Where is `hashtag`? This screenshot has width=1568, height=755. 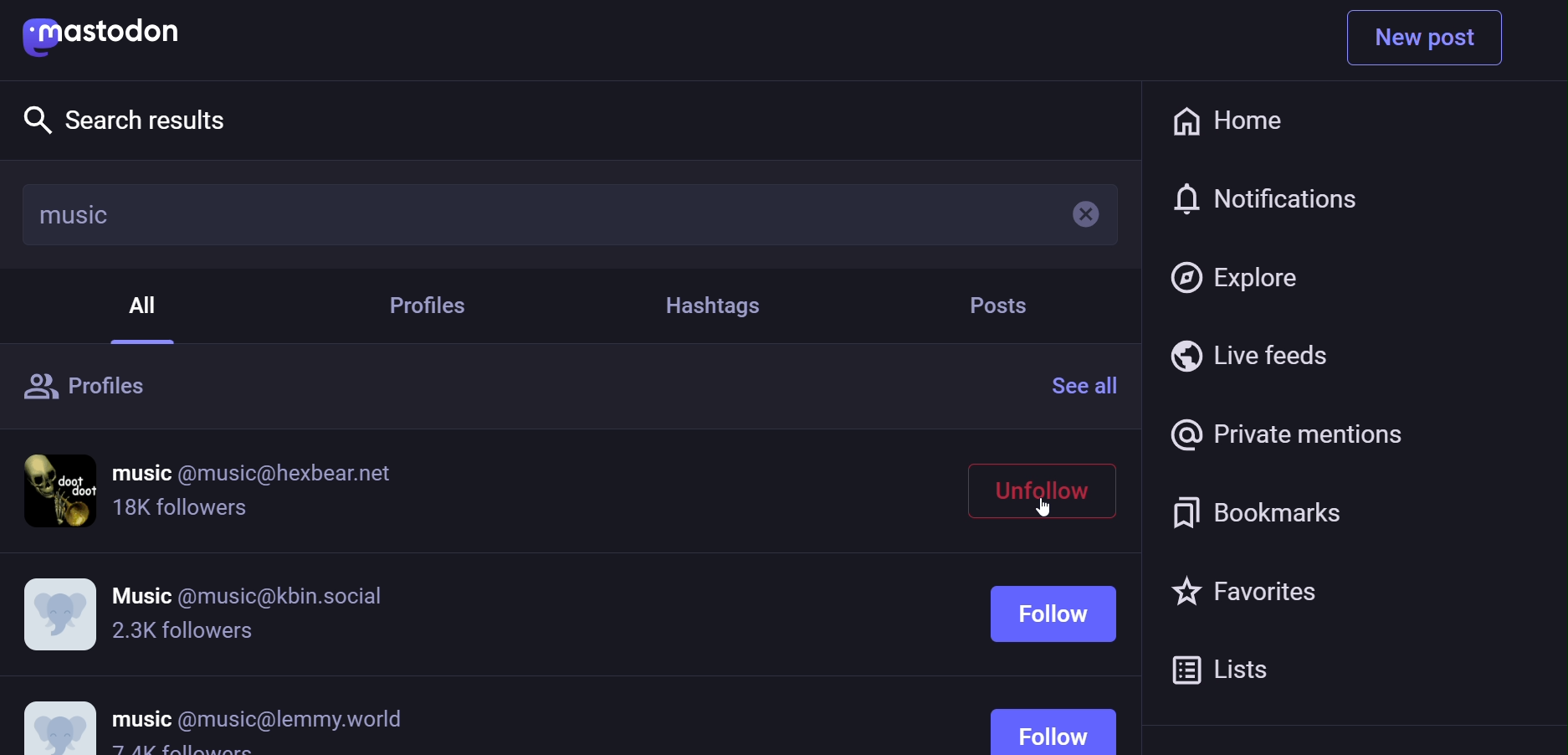 hashtag is located at coordinates (711, 305).